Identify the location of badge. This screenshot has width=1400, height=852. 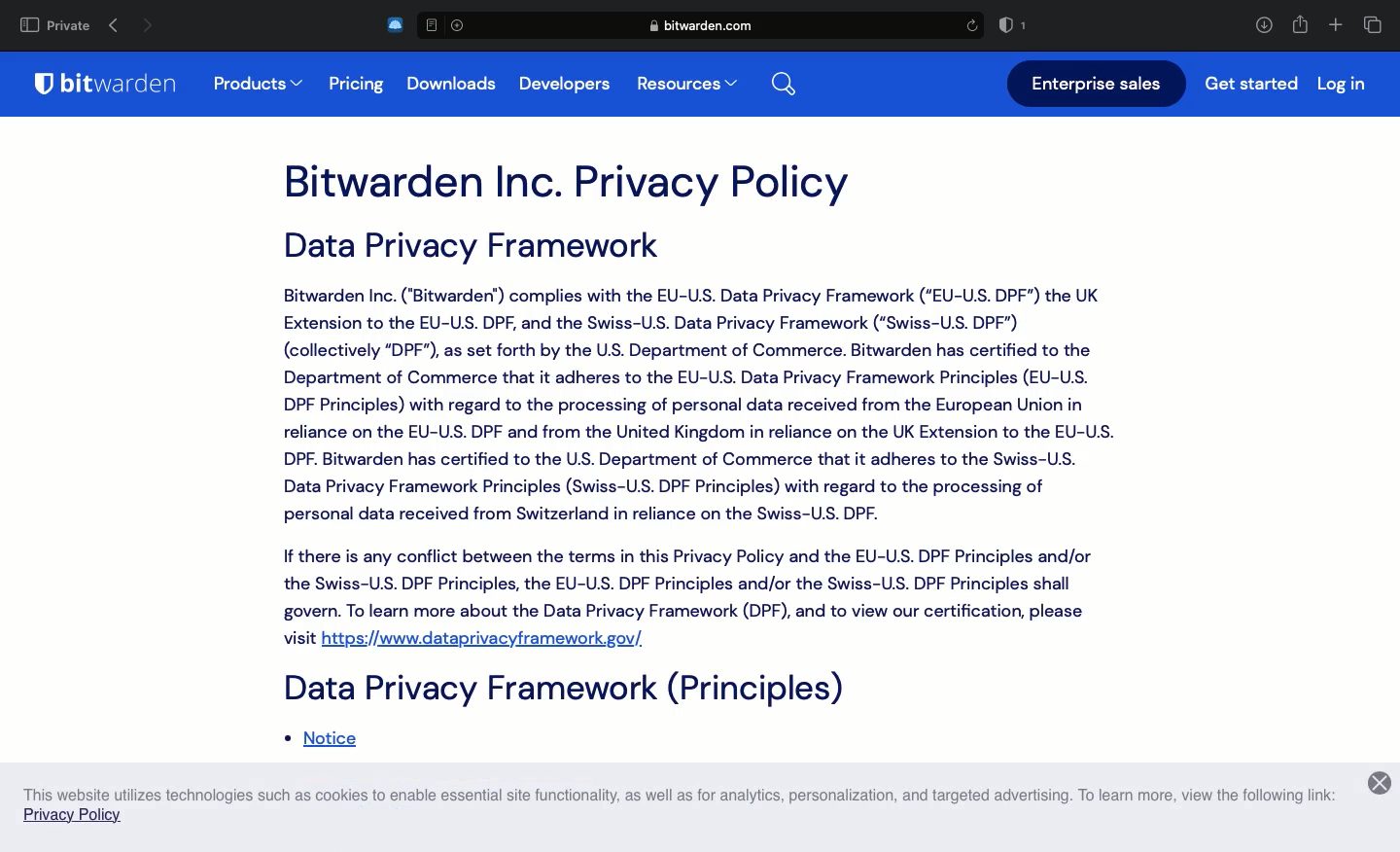
(1010, 24).